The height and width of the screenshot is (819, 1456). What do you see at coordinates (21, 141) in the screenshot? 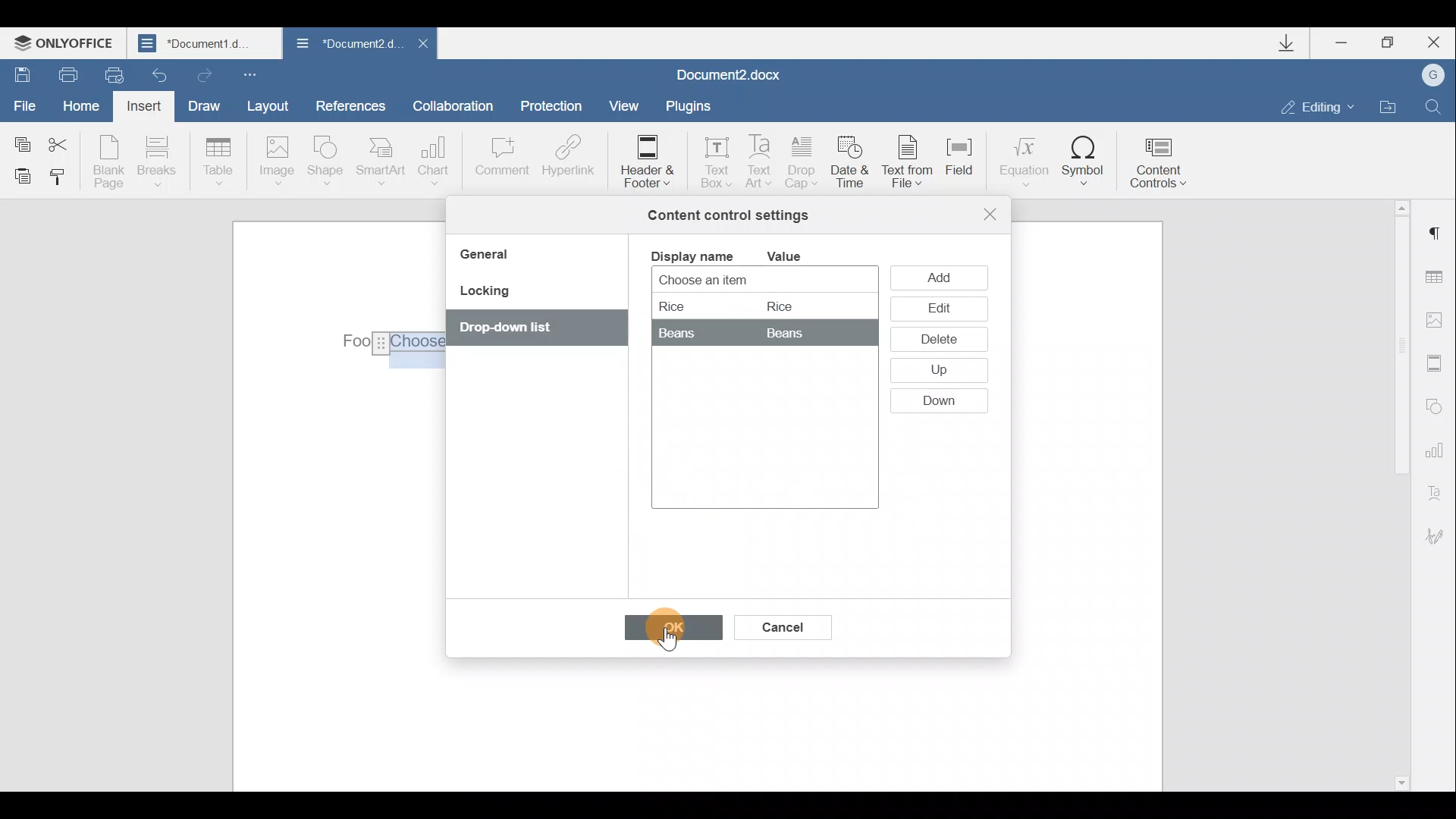
I see `Copy` at bounding box center [21, 141].